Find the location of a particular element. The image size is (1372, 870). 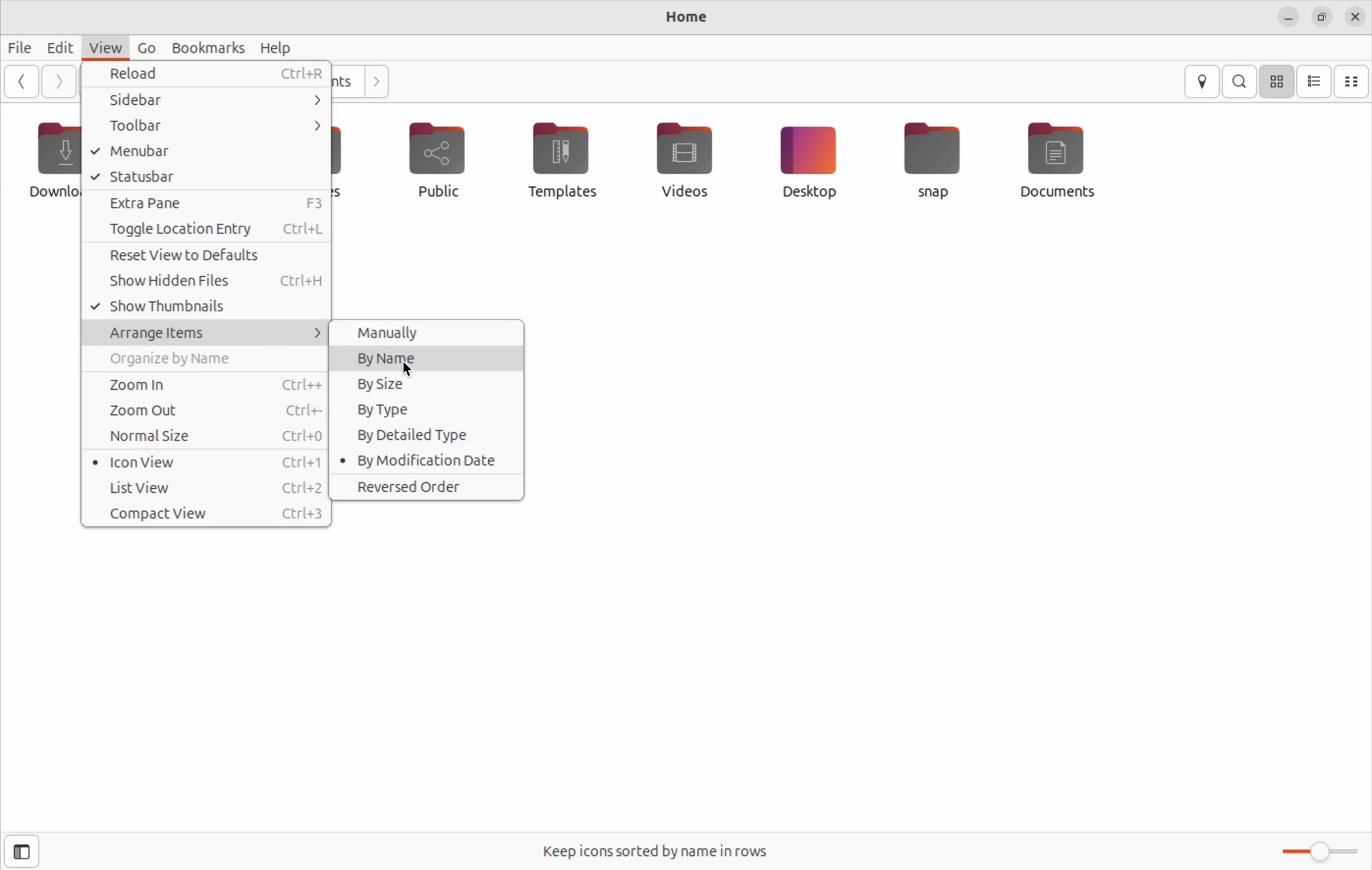

resize is located at coordinates (1325, 19).